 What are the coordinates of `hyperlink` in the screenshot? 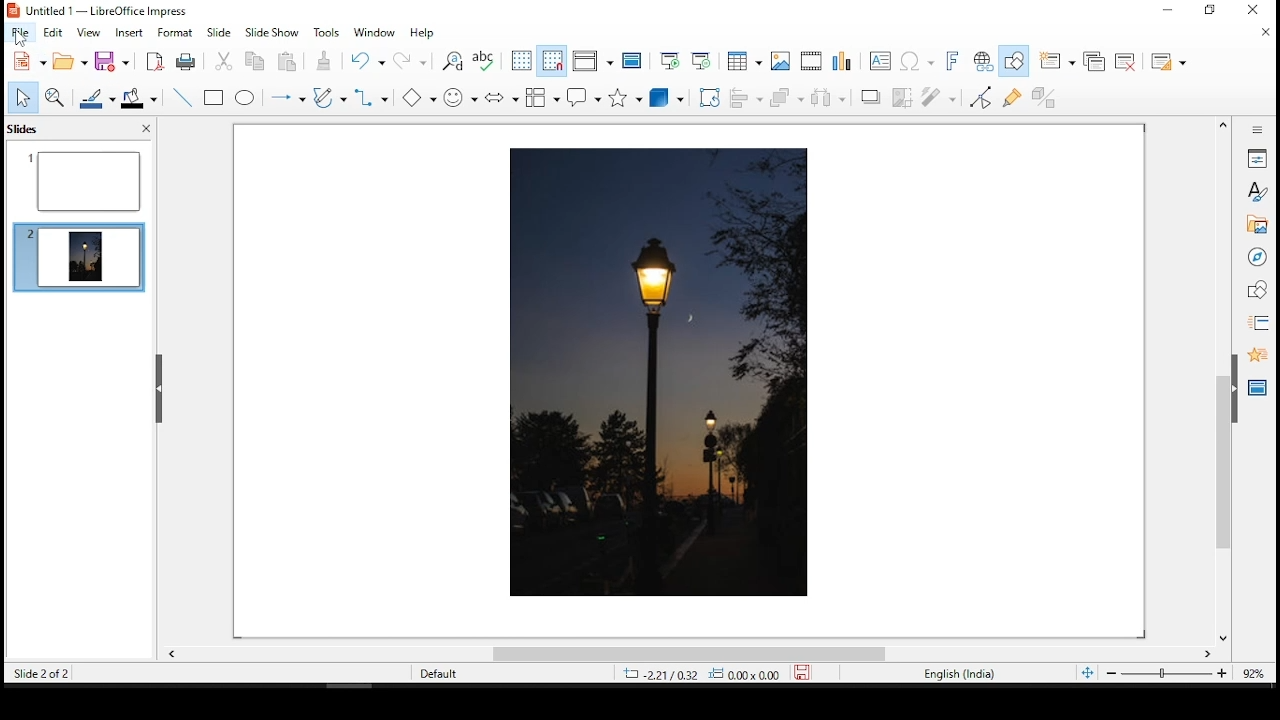 It's located at (983, 59).